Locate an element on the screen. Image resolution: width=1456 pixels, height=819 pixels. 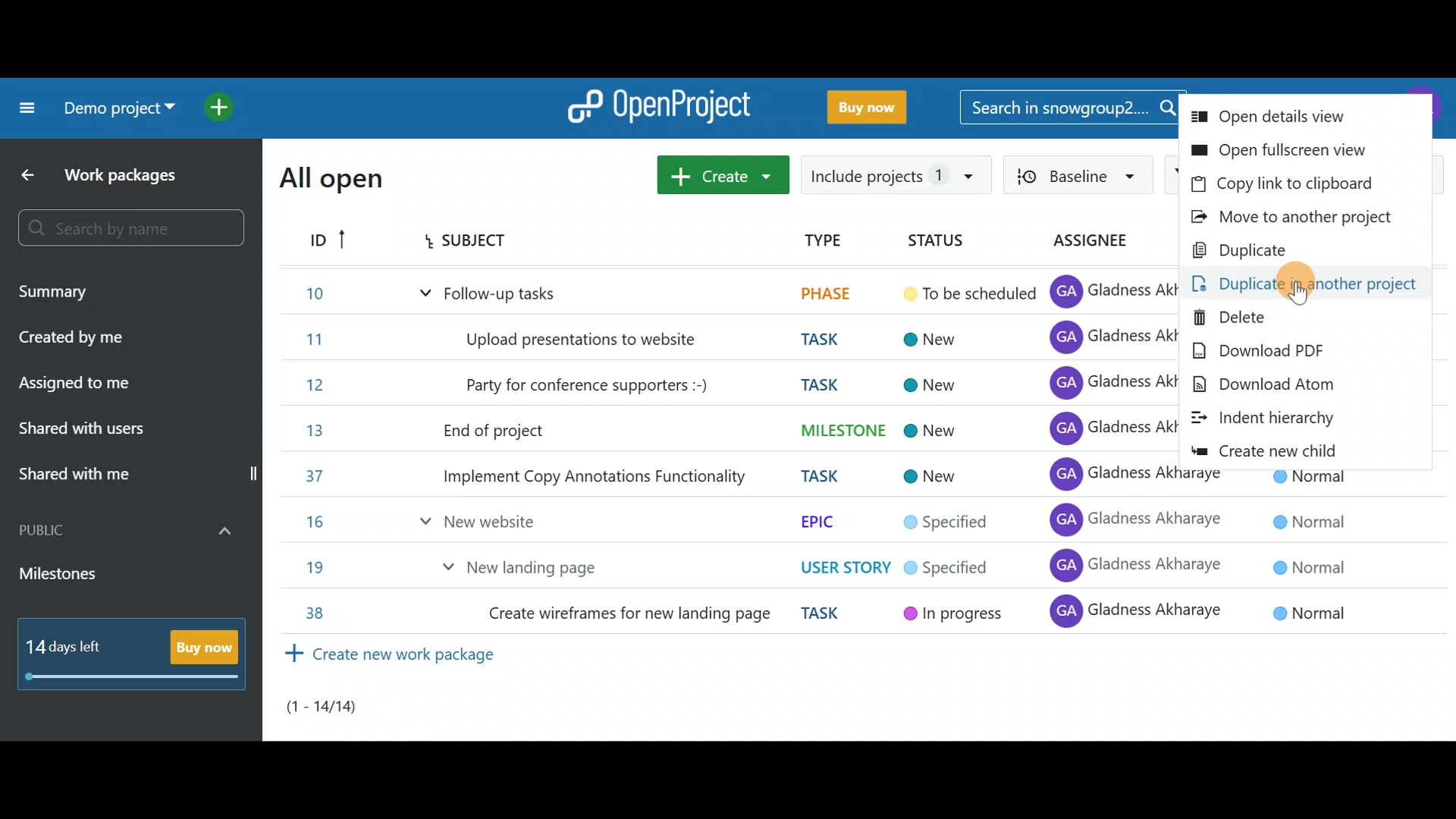
Search in snowgroup?....  is located at coordinates (1069, 108).